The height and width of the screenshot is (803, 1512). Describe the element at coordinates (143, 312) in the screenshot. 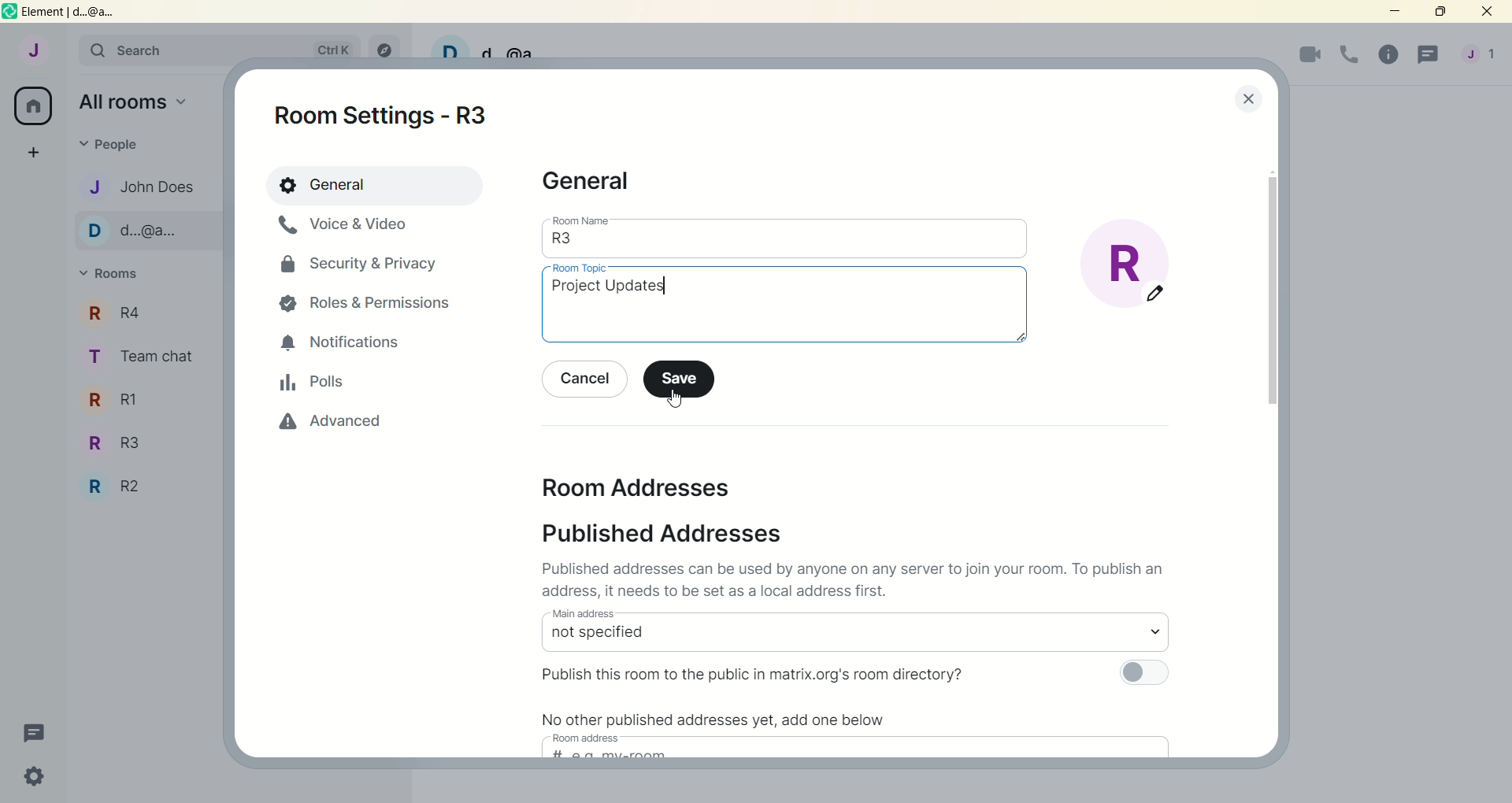

I see `r4` at that location.